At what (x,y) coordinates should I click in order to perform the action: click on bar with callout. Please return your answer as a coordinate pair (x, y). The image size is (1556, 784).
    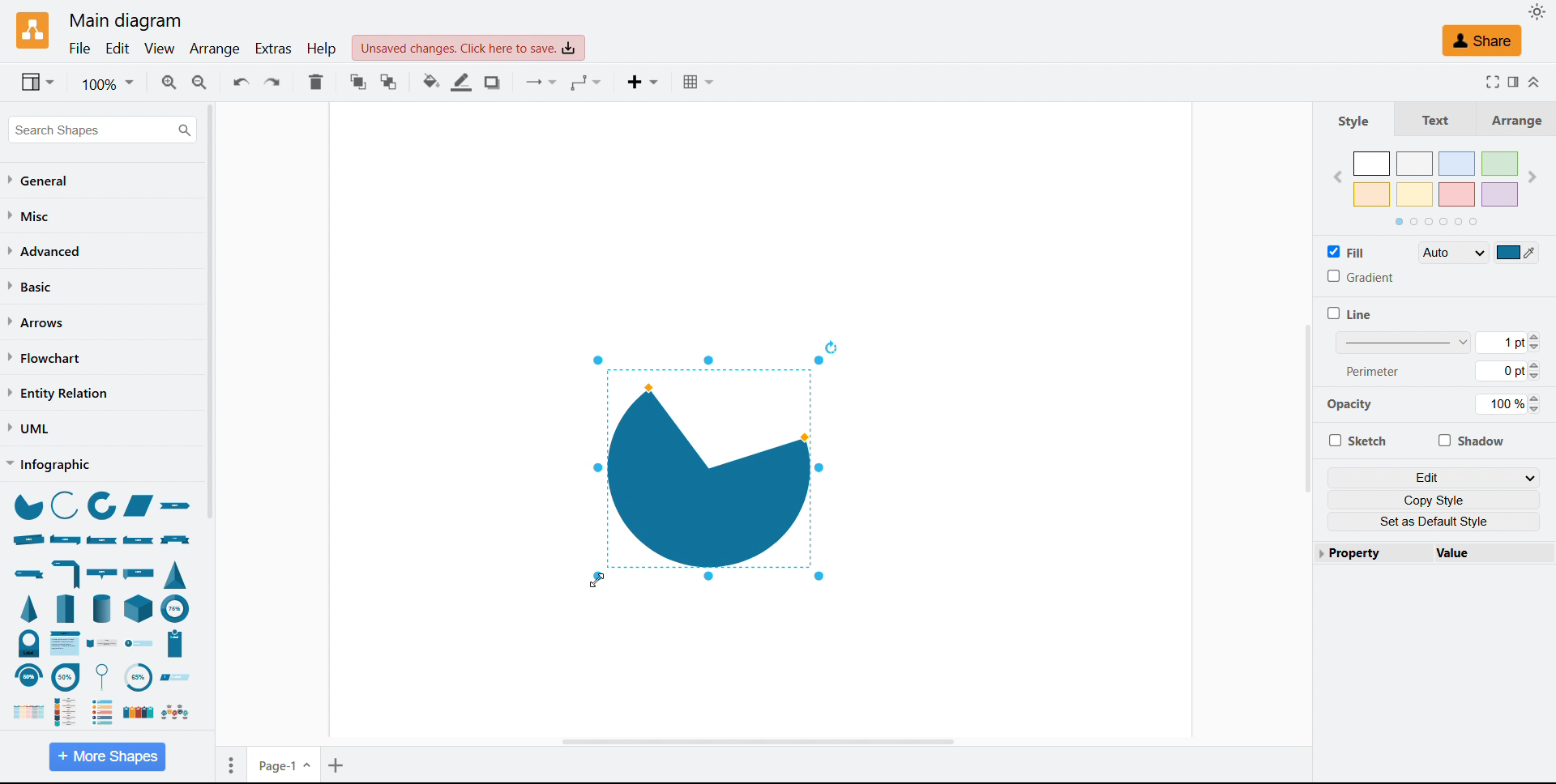
    Looking at the image, I should click on (101, 573).